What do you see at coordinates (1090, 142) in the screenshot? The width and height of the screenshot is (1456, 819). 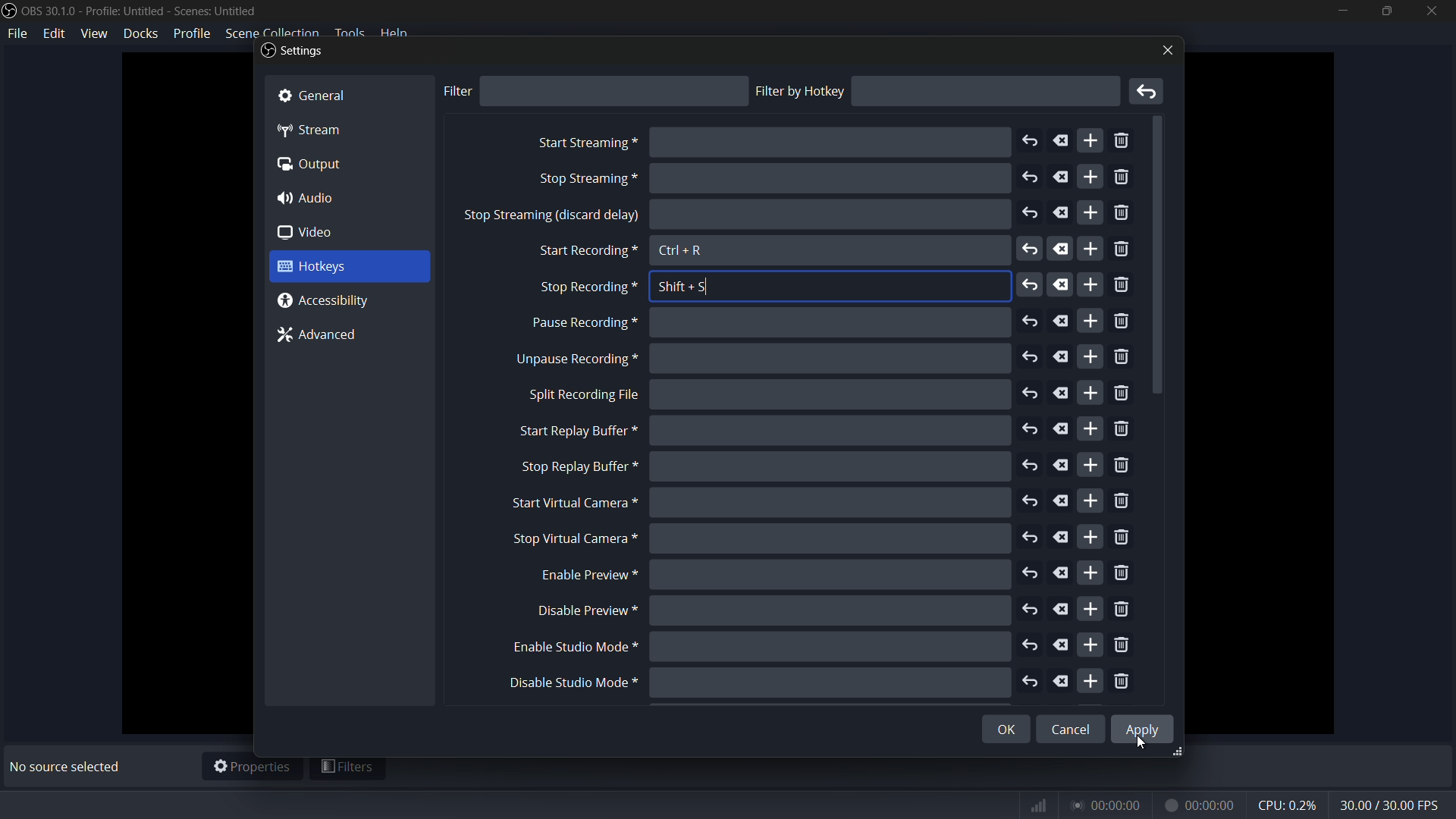 I see `add more` at bounding box center [1090, 142].